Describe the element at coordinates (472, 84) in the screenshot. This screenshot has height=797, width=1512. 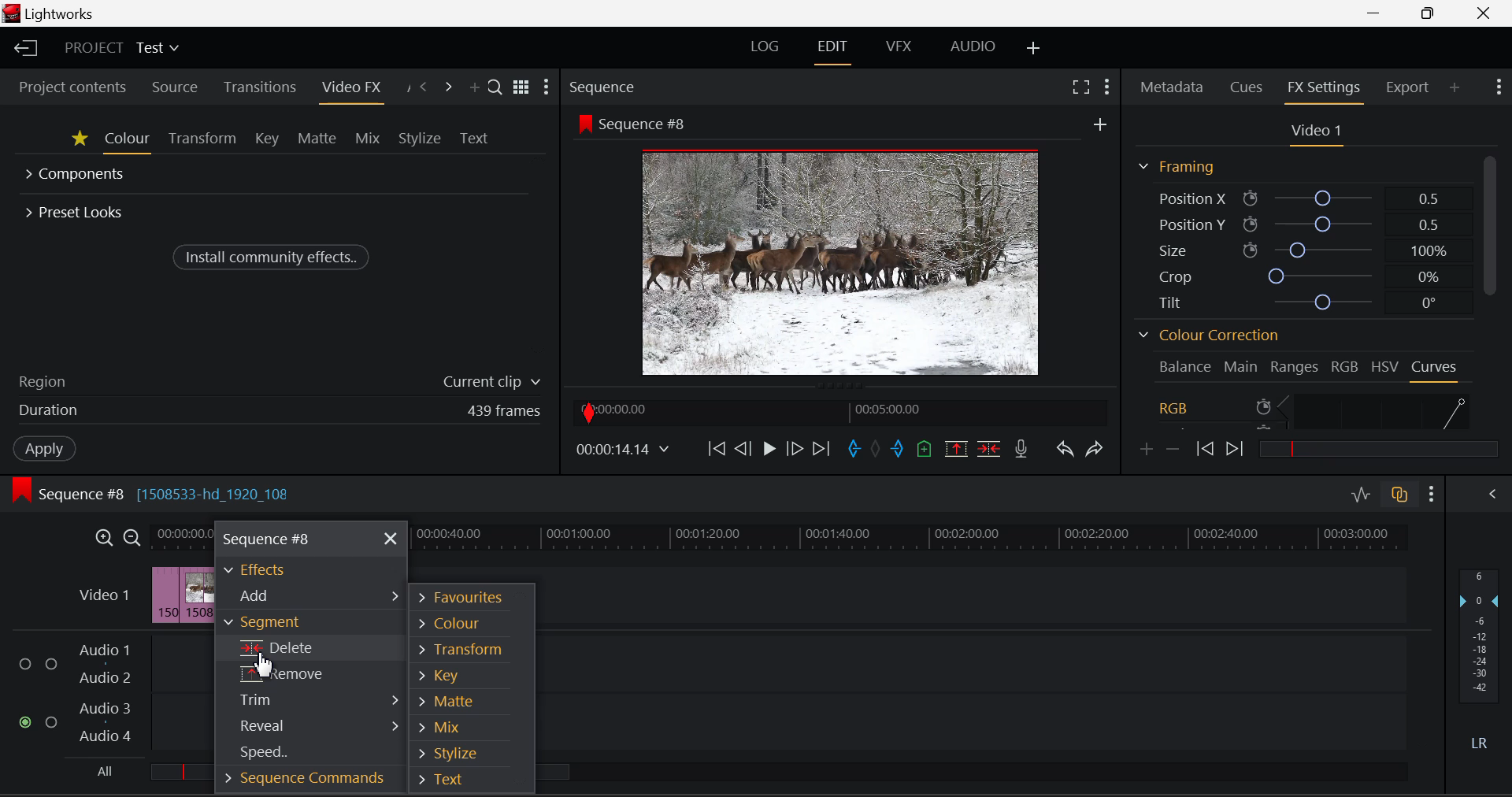
I see `Add Panel` at that location.